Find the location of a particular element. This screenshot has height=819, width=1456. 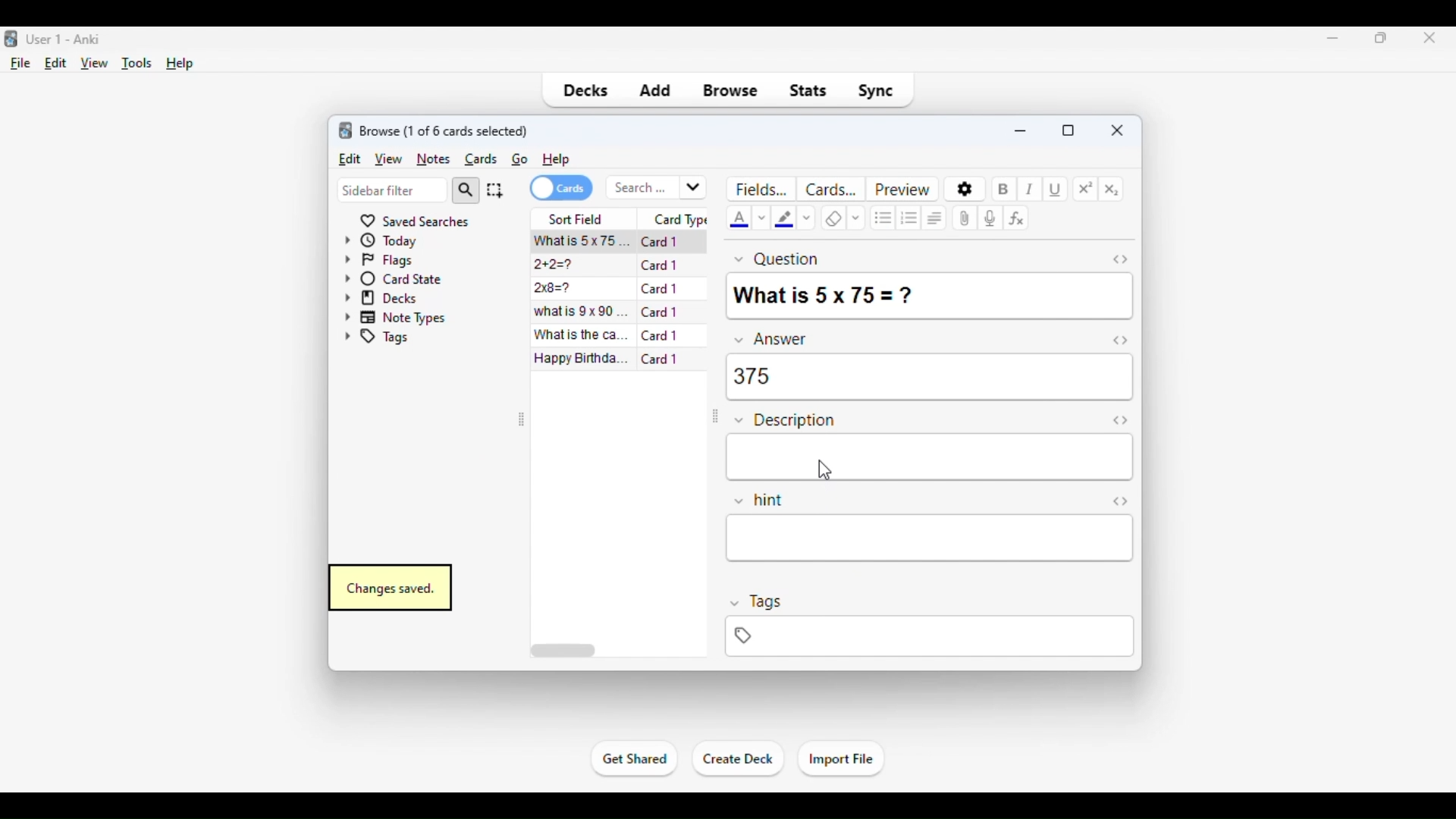

note types is located at coordinates (395, 316).